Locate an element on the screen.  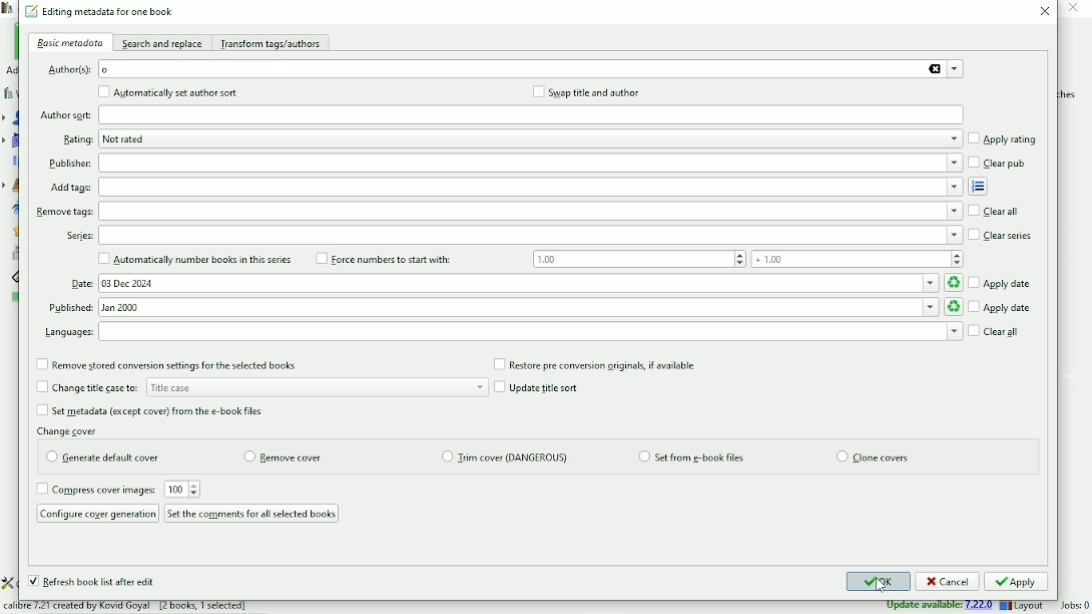
Rating options is located at coordinates (527, 139).